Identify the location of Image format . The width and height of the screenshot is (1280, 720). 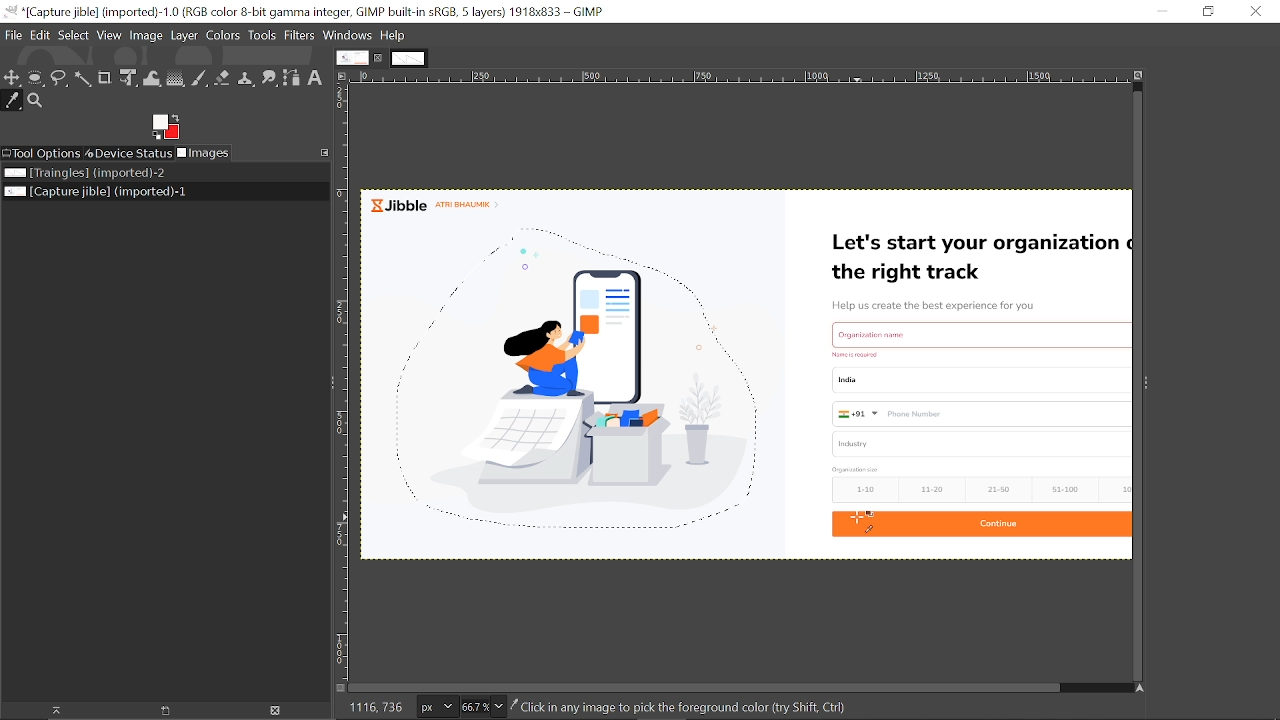
(438, 707).